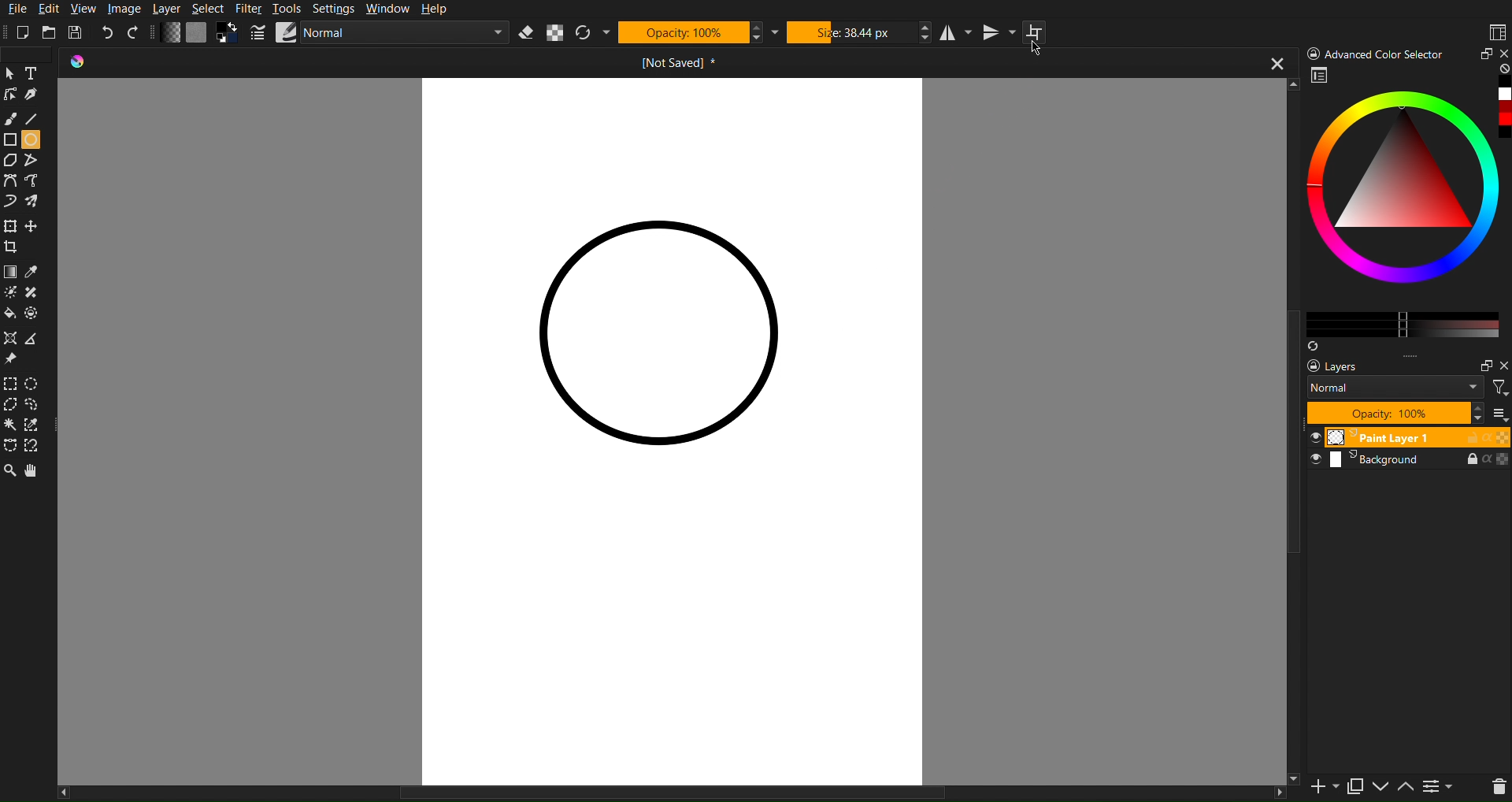 The image size is (1512, 802). What do you see at coordinates (1284, 389) in the screenshot?
I see `vertical scroll bar` at bounding box center [1284, 389].